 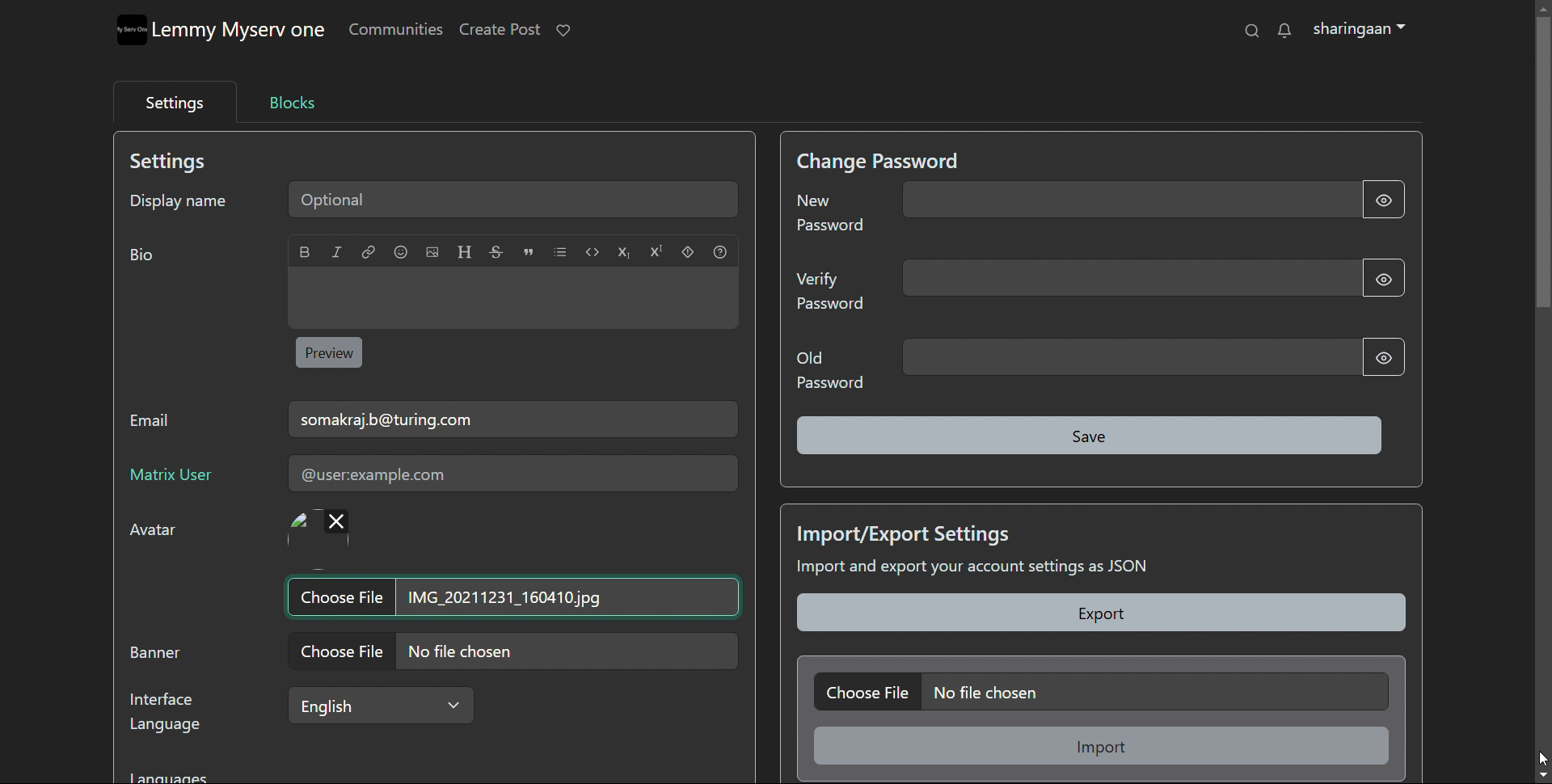 What do you see at coordinates (369, 251) in the screenshot?
I see `link` at bounding box center [369, 251].